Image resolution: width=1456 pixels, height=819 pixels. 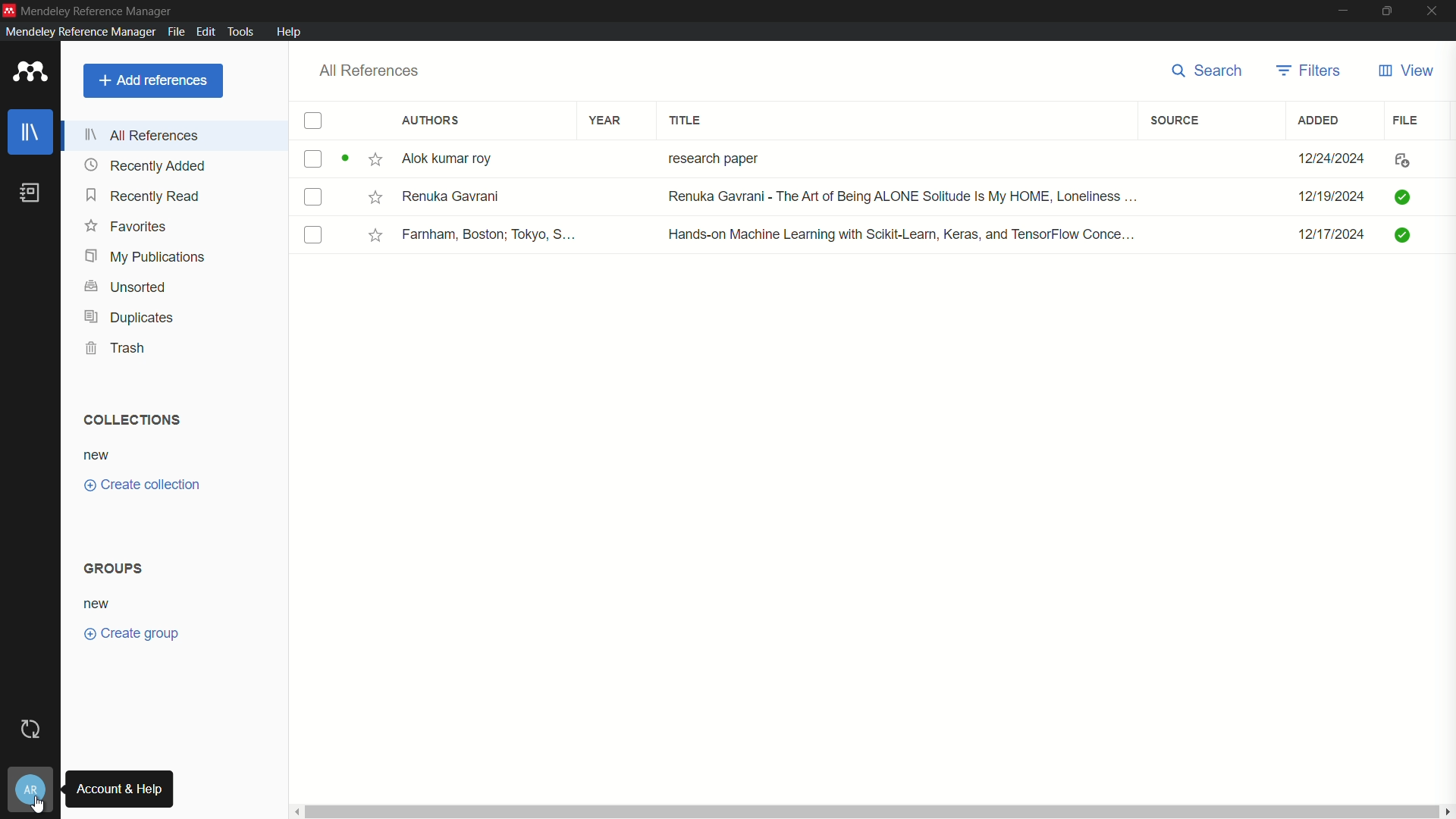 What do you see at coordinates (1389, 11) in the screenshot?
I see `maximize` at bounding box center [1389, 11].